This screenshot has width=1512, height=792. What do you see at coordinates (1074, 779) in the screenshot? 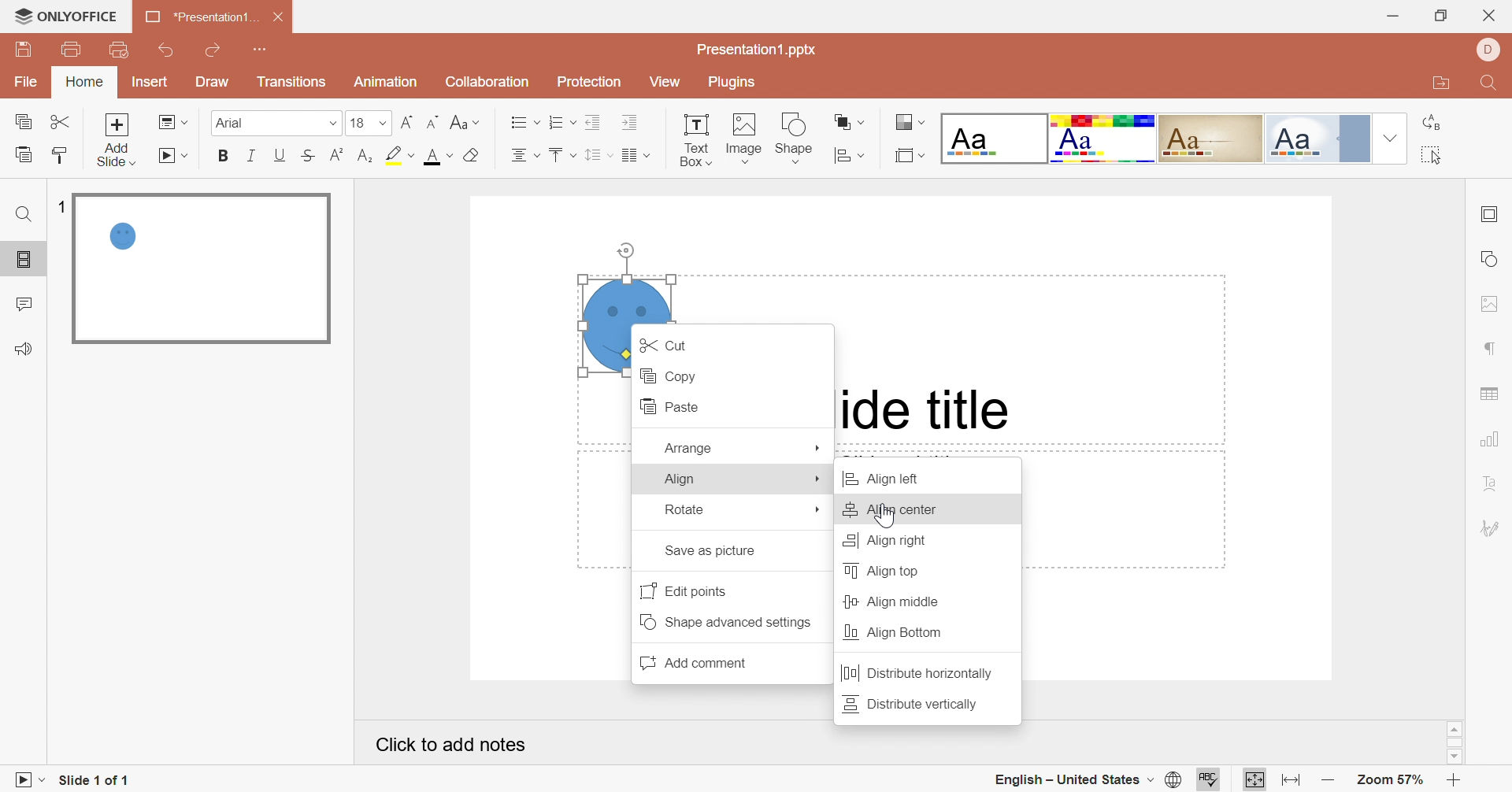
I see `English - United States` at bounding box center [1074, 779].